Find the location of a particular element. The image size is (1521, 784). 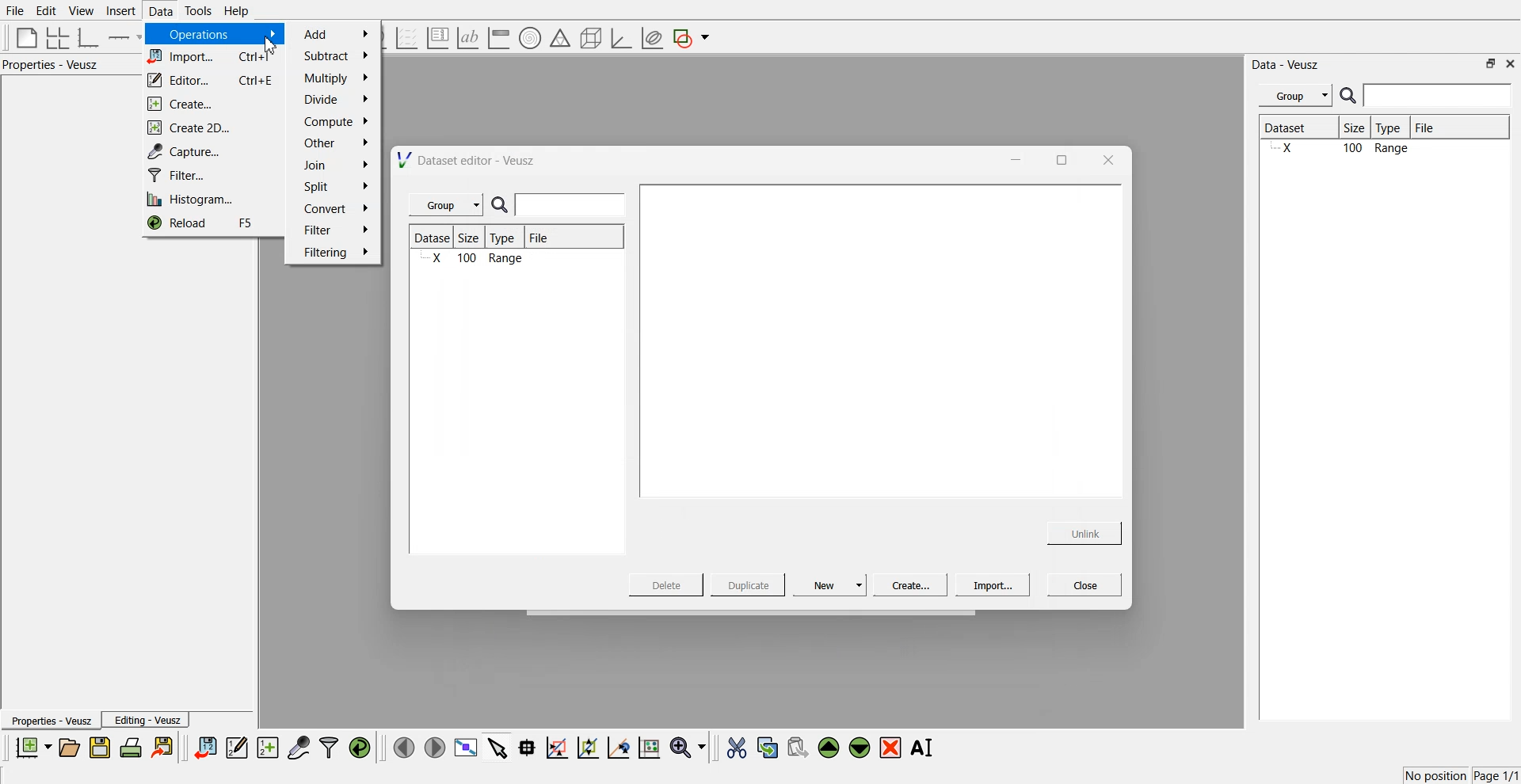

Dataset is located at coordinates (434, 238).